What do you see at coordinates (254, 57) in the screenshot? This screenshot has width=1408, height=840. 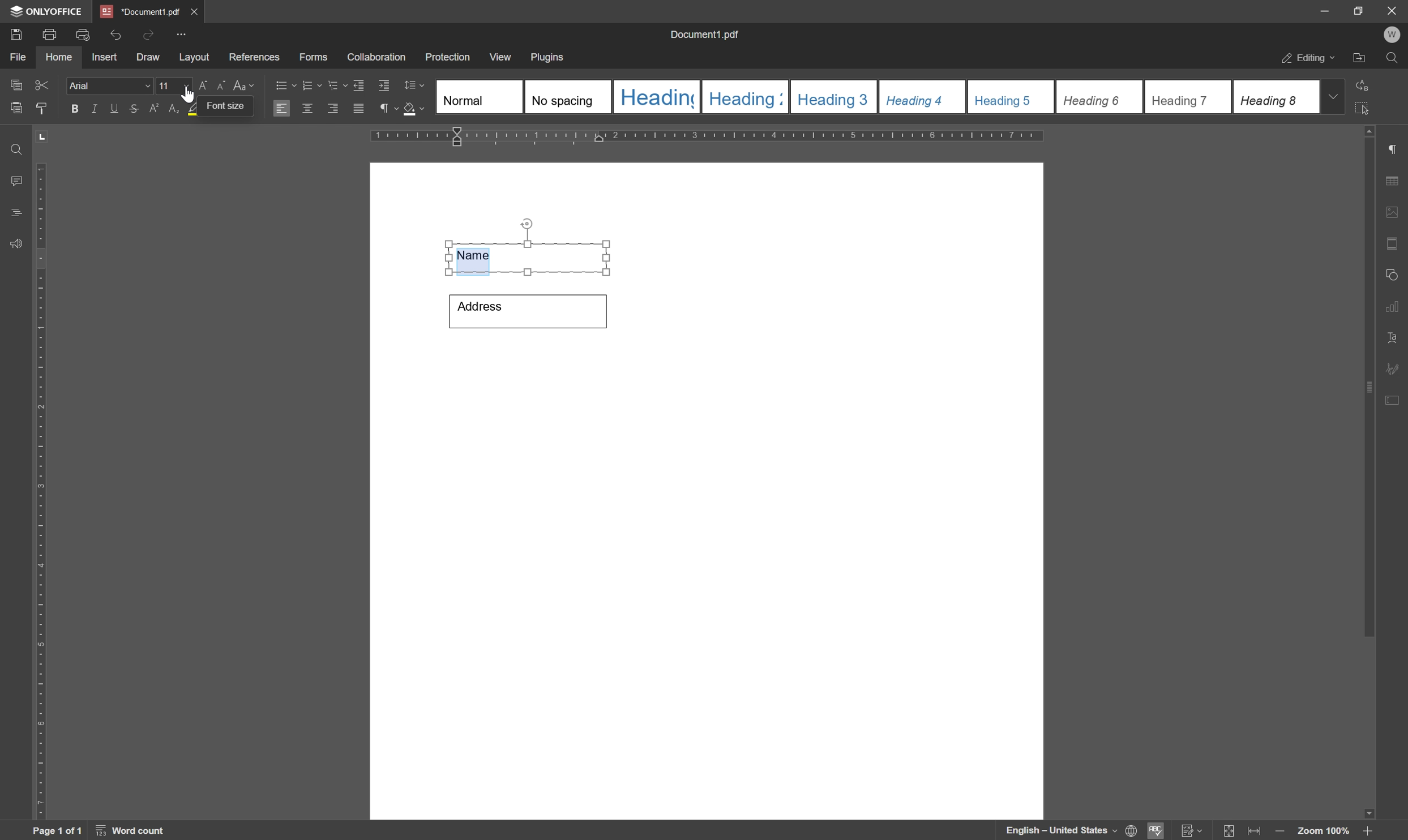 I see `references` at bounding box center [254, 57].